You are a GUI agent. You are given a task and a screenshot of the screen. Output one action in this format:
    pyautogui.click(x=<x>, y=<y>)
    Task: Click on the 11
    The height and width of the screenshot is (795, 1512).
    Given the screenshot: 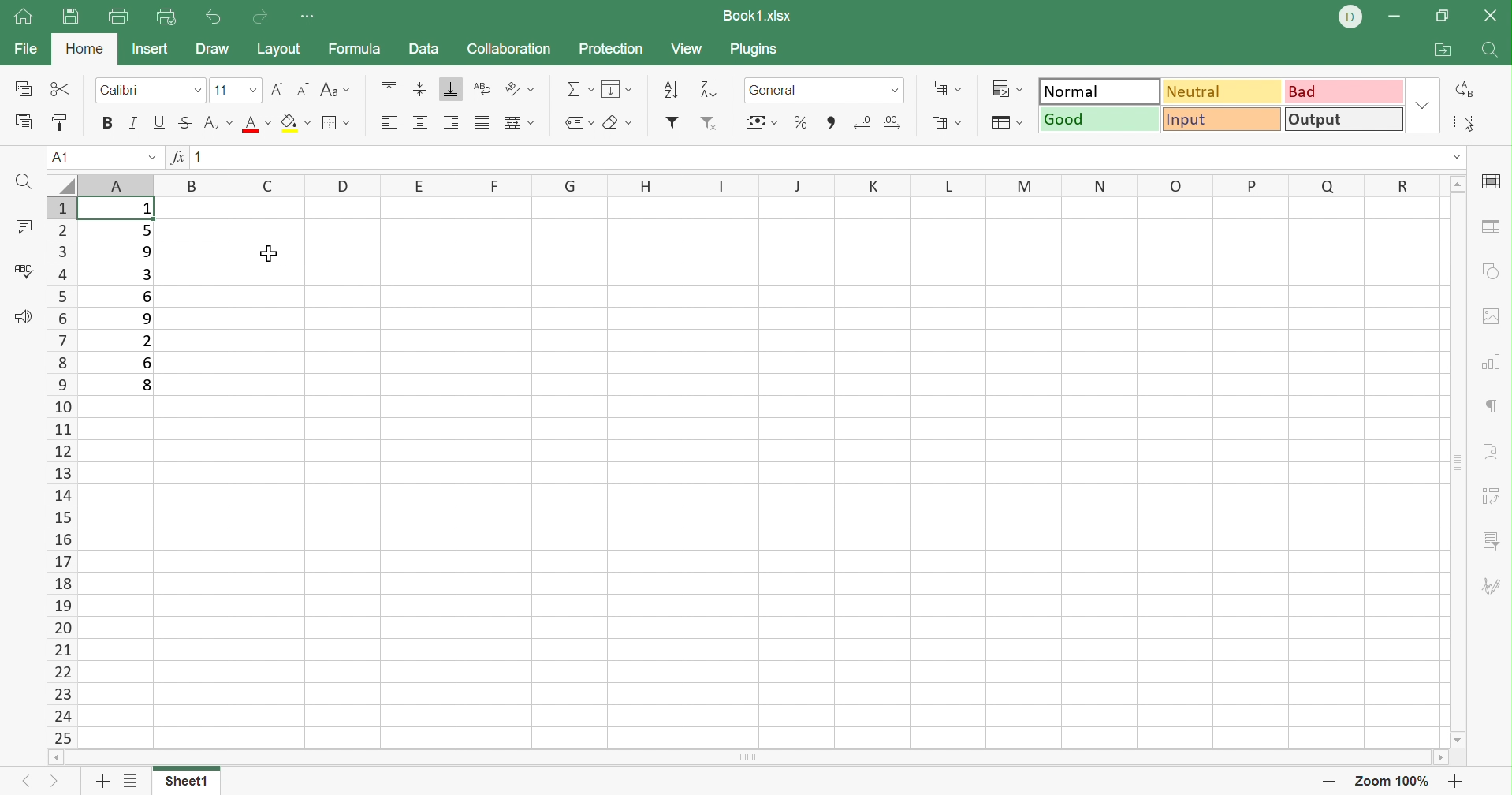 What is the action you would take?
    pyautogui.click(x=222, y=91)
    